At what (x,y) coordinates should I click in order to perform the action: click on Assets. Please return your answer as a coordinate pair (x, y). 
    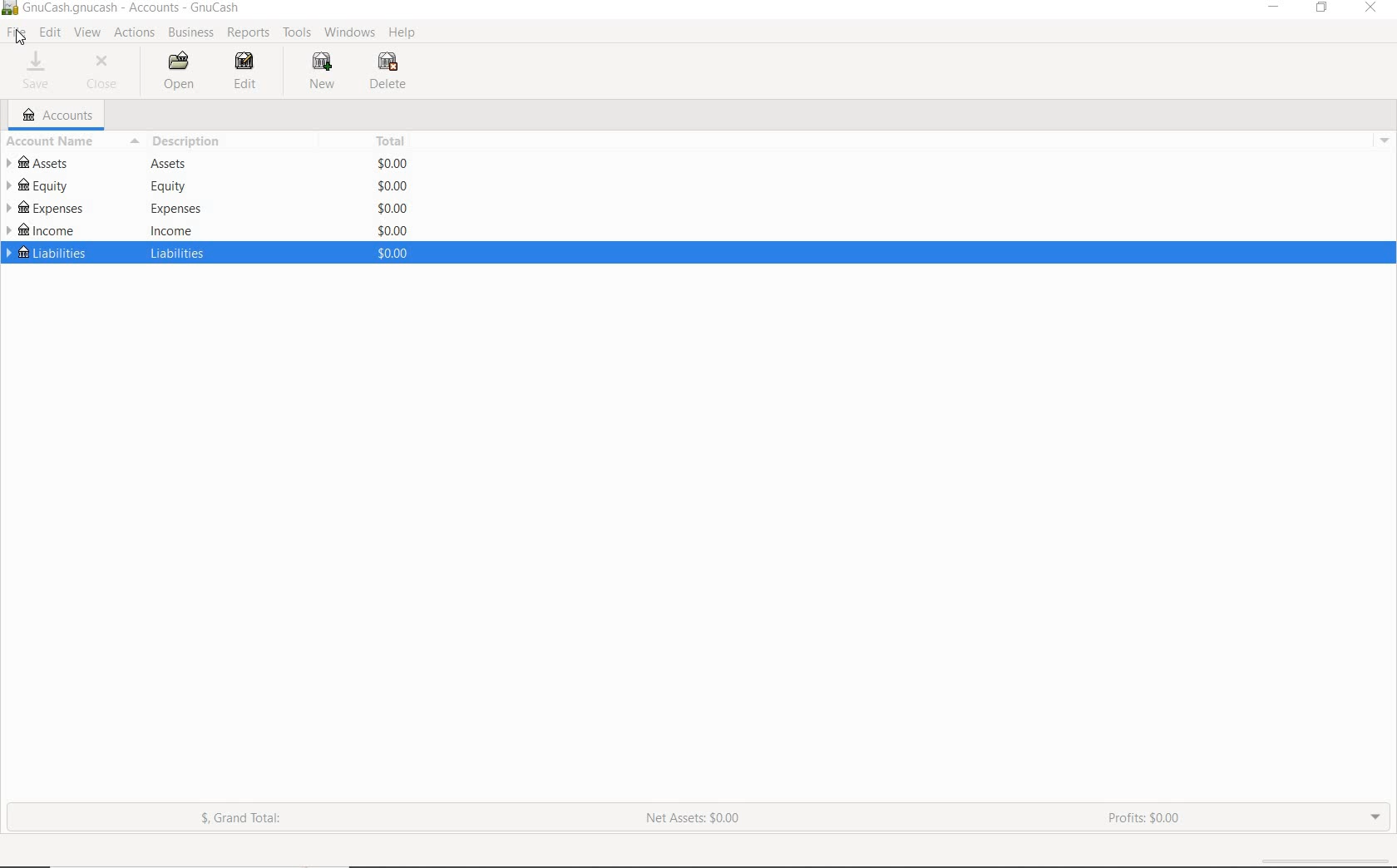
    Looking at the image, I should click on (170, 163).